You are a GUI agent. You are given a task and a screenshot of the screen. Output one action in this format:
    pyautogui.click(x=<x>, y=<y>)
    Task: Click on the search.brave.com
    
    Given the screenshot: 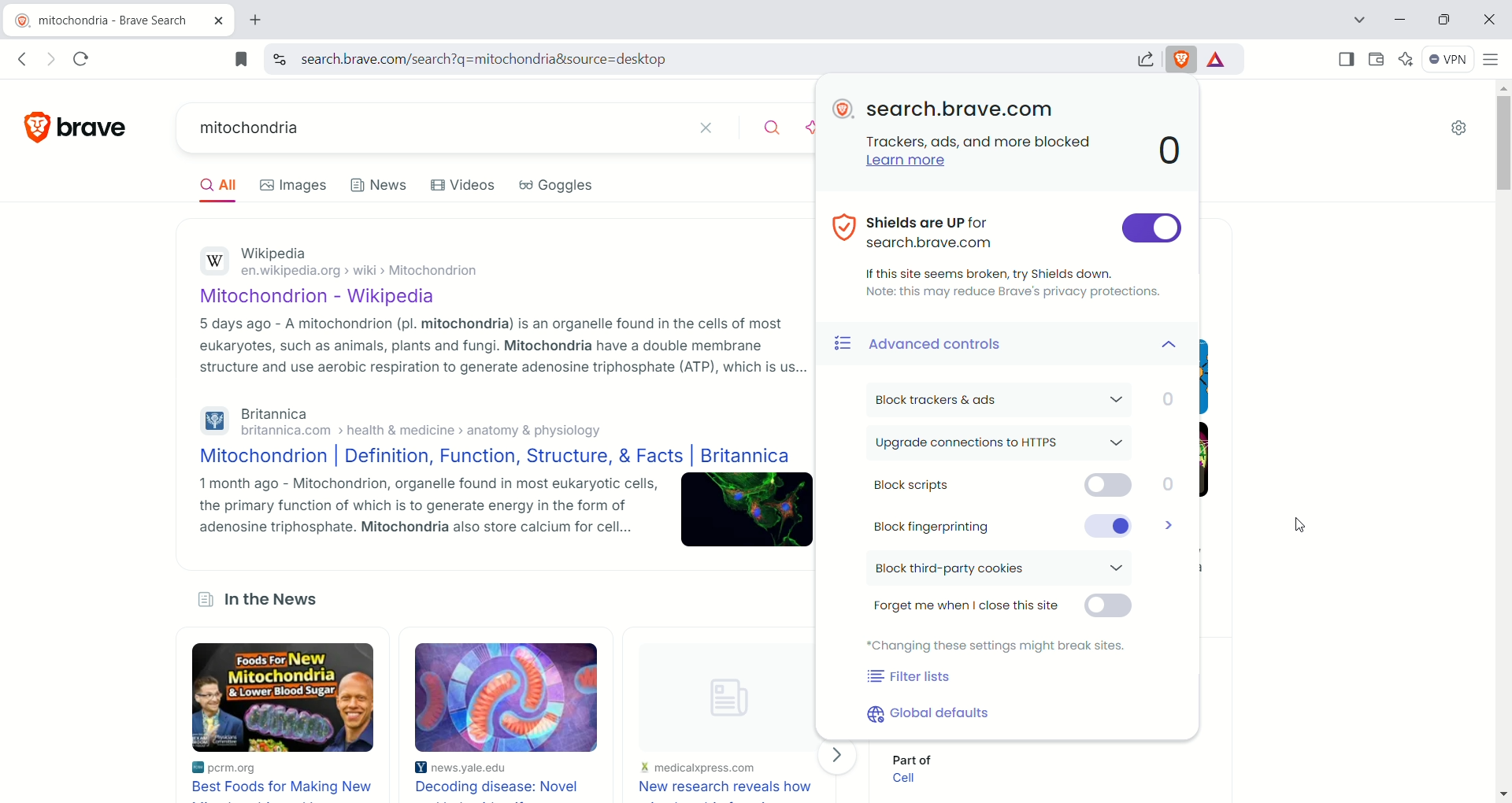 What is the action you would take?
    pyautogui.click(x=958, y=110)
    